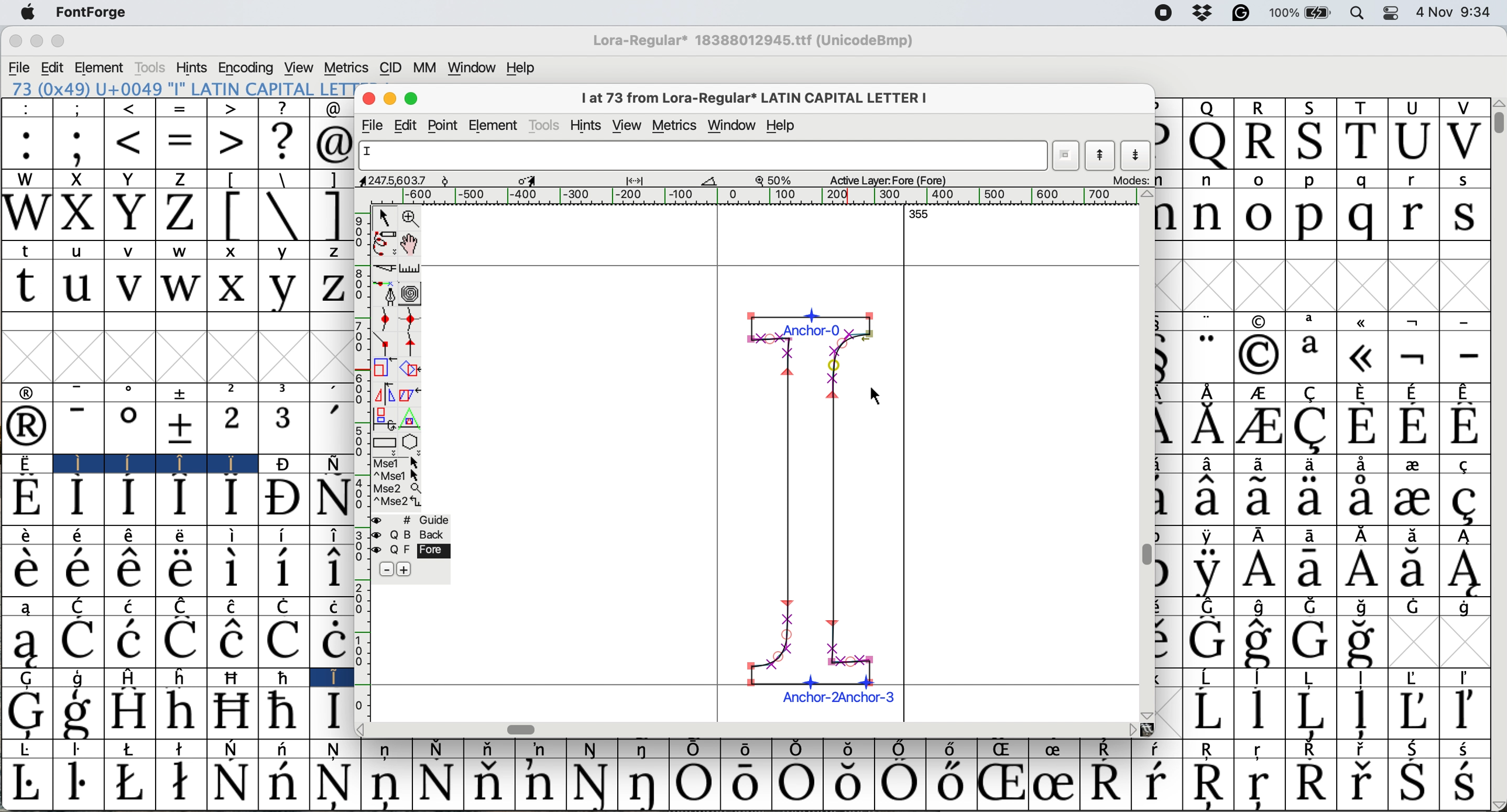 The height and width of the screenshot is (812, 1507). What do you see at coordinates (345, 68) in the screenshot?
I see `metrics` at bounding box center [345, 68].